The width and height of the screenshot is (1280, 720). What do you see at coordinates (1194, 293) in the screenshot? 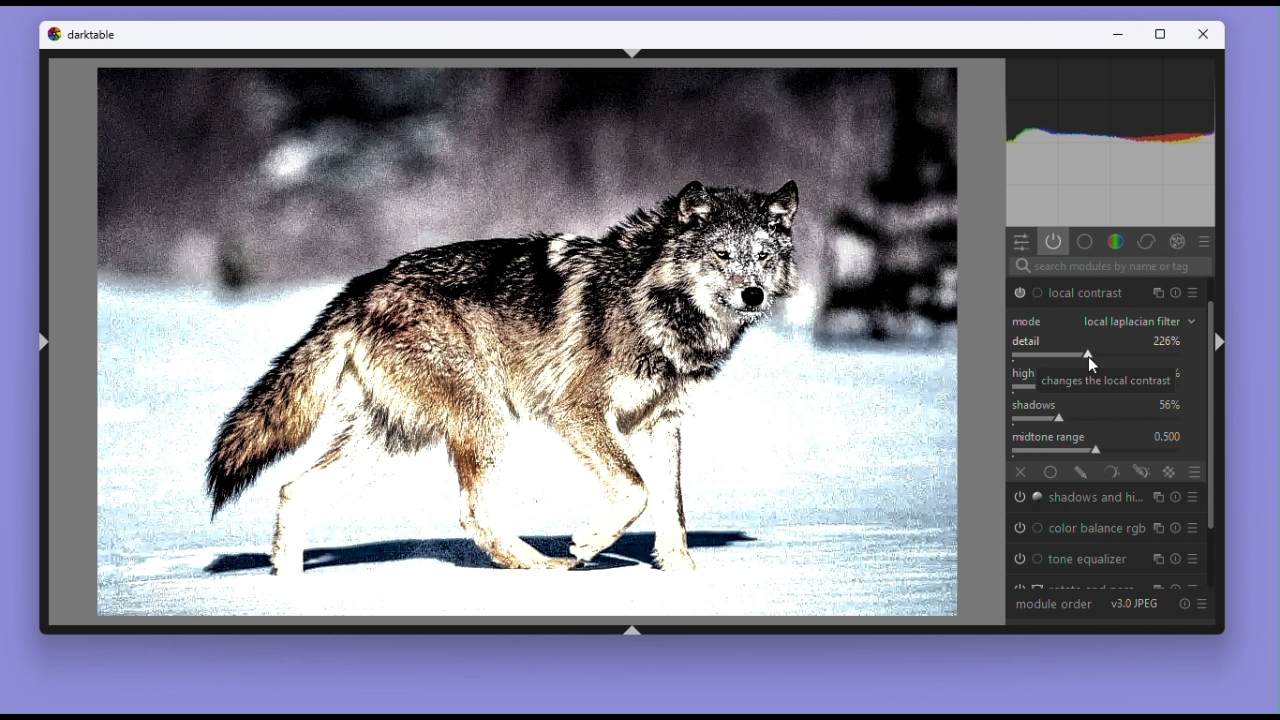
I see `reset parameters` at bounding box center [1194, 293].